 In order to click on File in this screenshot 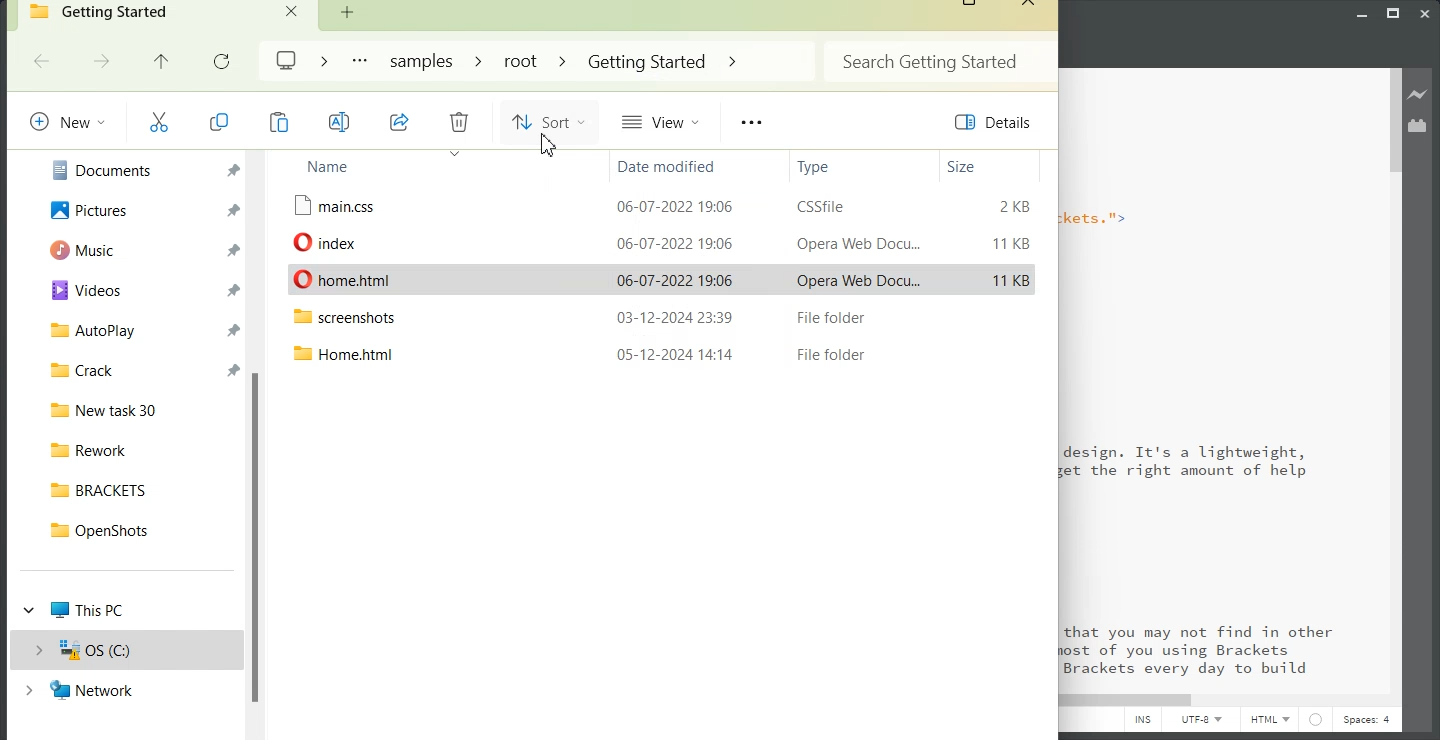, I will do `click(661, 280)`.